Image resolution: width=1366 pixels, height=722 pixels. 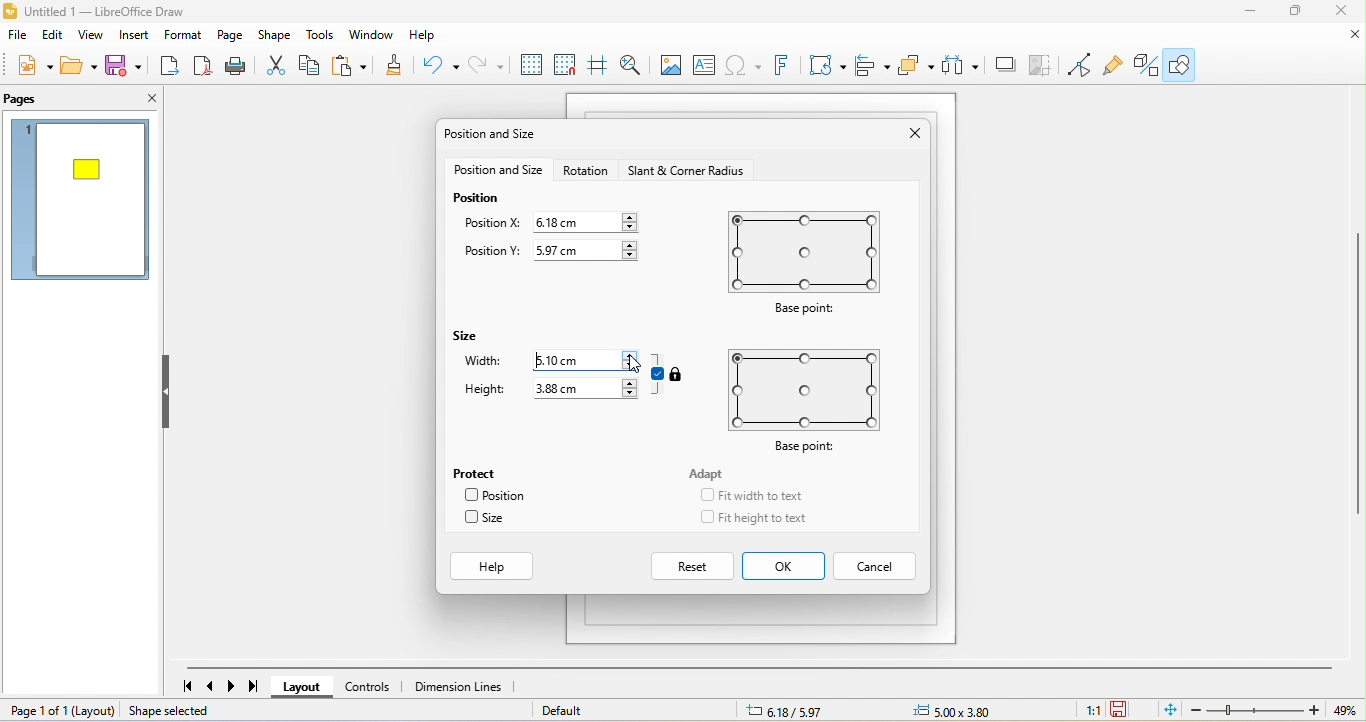 I want to click on shape selected, so click(x=181, y=712).